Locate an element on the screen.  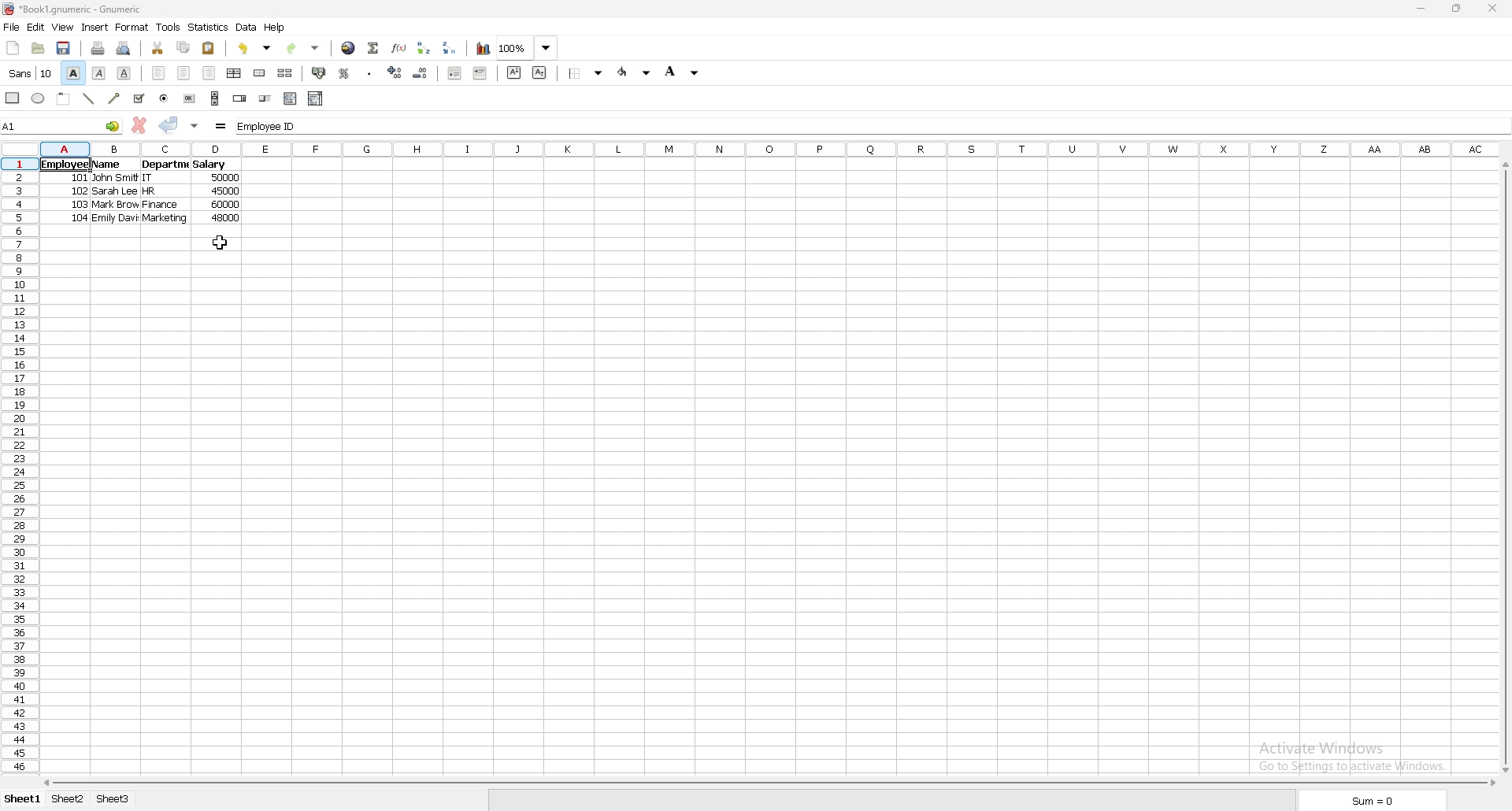
department is located at coordinates (165, 165).